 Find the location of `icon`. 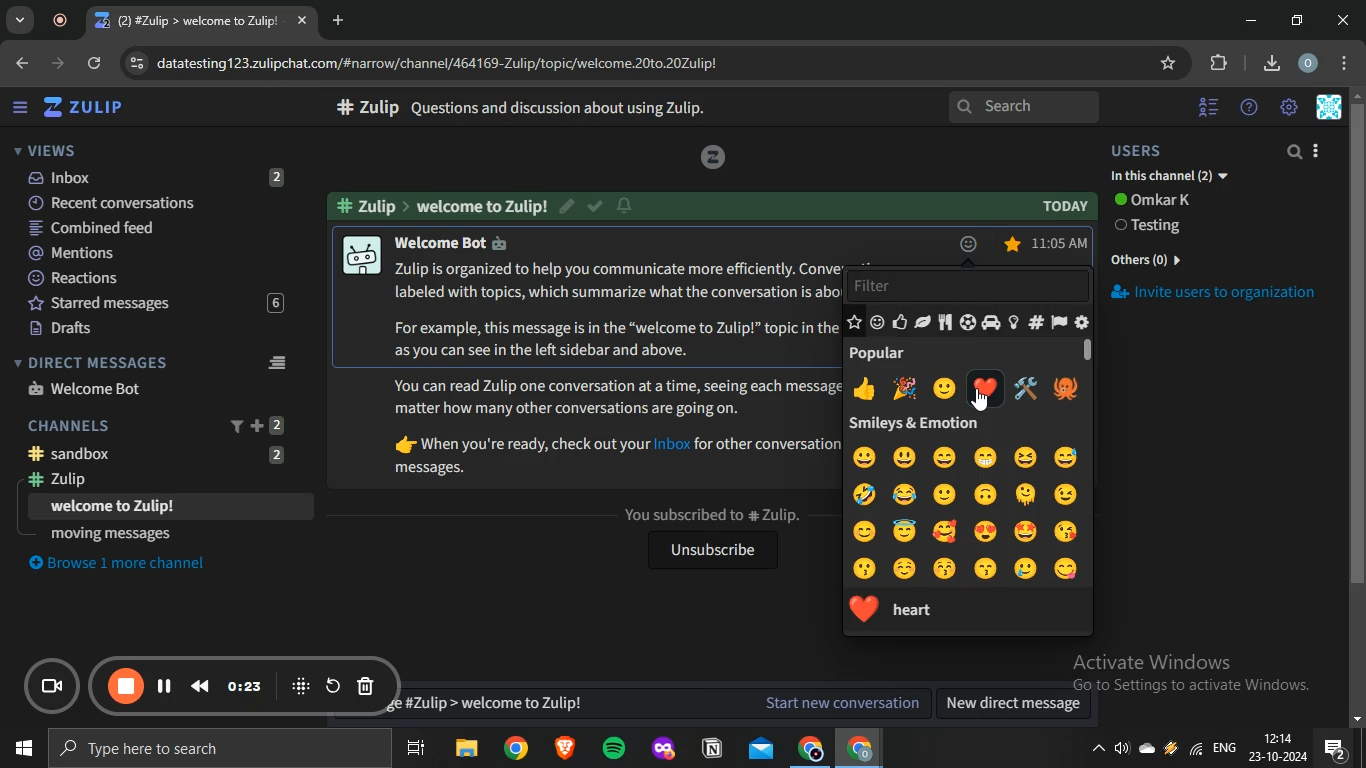

icon is located at coordinates (301, 685).